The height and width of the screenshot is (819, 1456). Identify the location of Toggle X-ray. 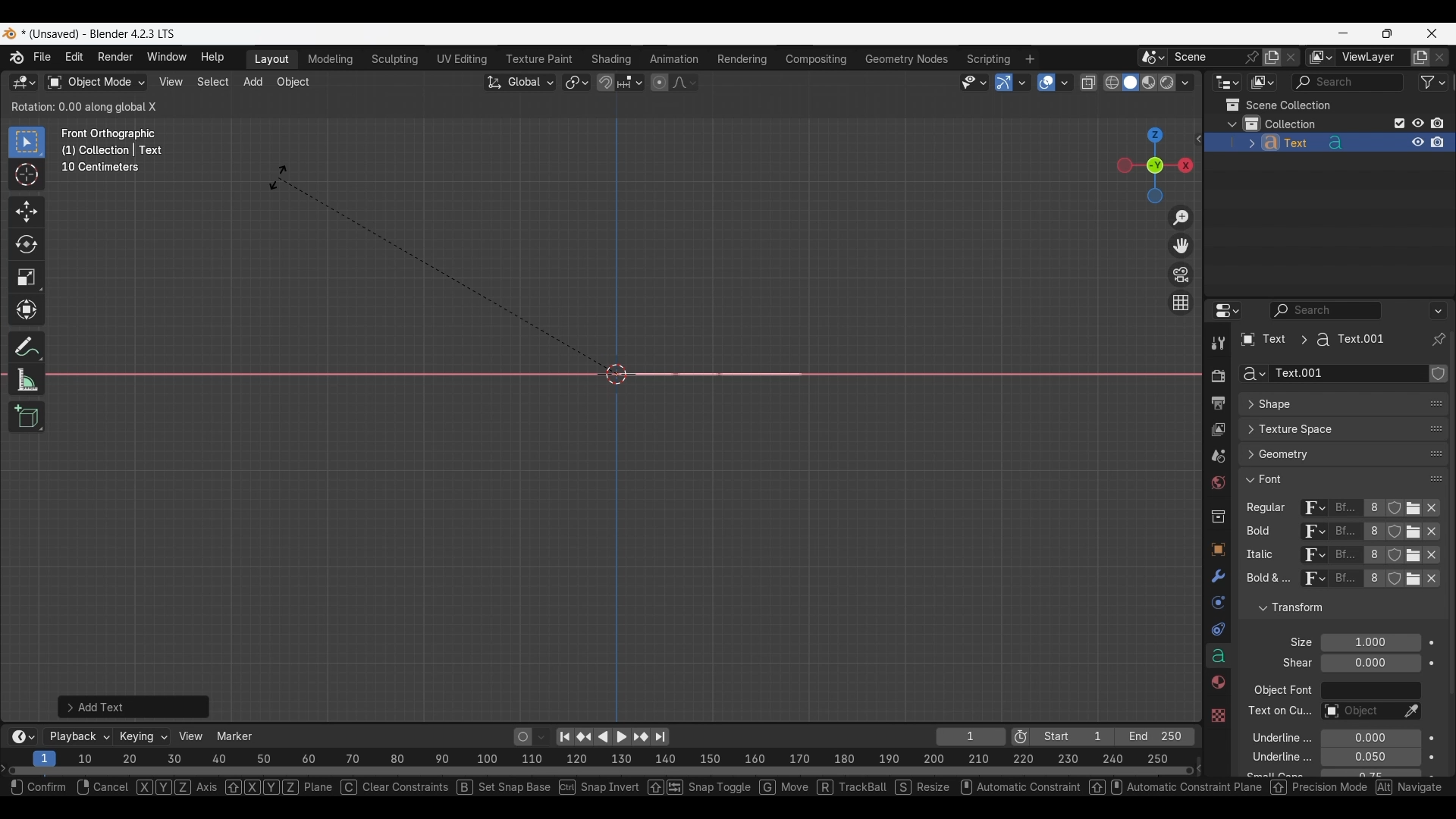
(1089, 83).